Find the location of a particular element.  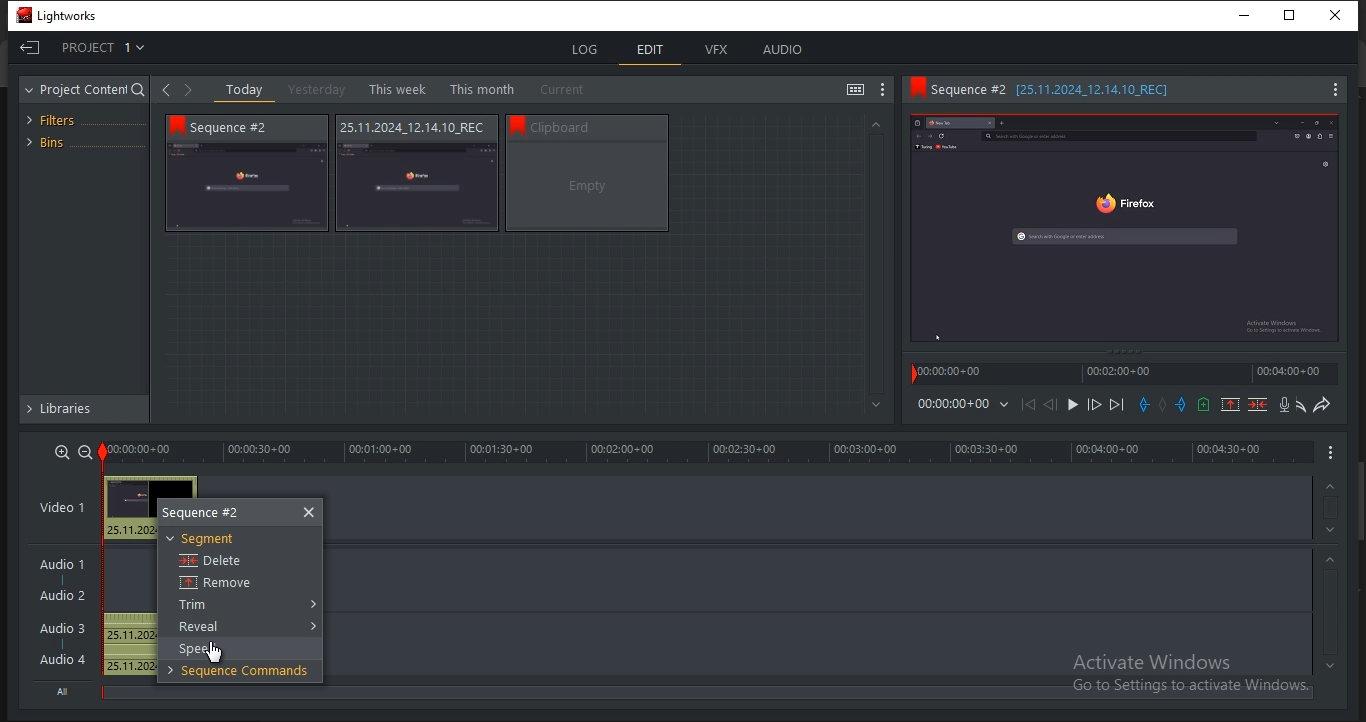

redo is located at coordinates (1324, 404).